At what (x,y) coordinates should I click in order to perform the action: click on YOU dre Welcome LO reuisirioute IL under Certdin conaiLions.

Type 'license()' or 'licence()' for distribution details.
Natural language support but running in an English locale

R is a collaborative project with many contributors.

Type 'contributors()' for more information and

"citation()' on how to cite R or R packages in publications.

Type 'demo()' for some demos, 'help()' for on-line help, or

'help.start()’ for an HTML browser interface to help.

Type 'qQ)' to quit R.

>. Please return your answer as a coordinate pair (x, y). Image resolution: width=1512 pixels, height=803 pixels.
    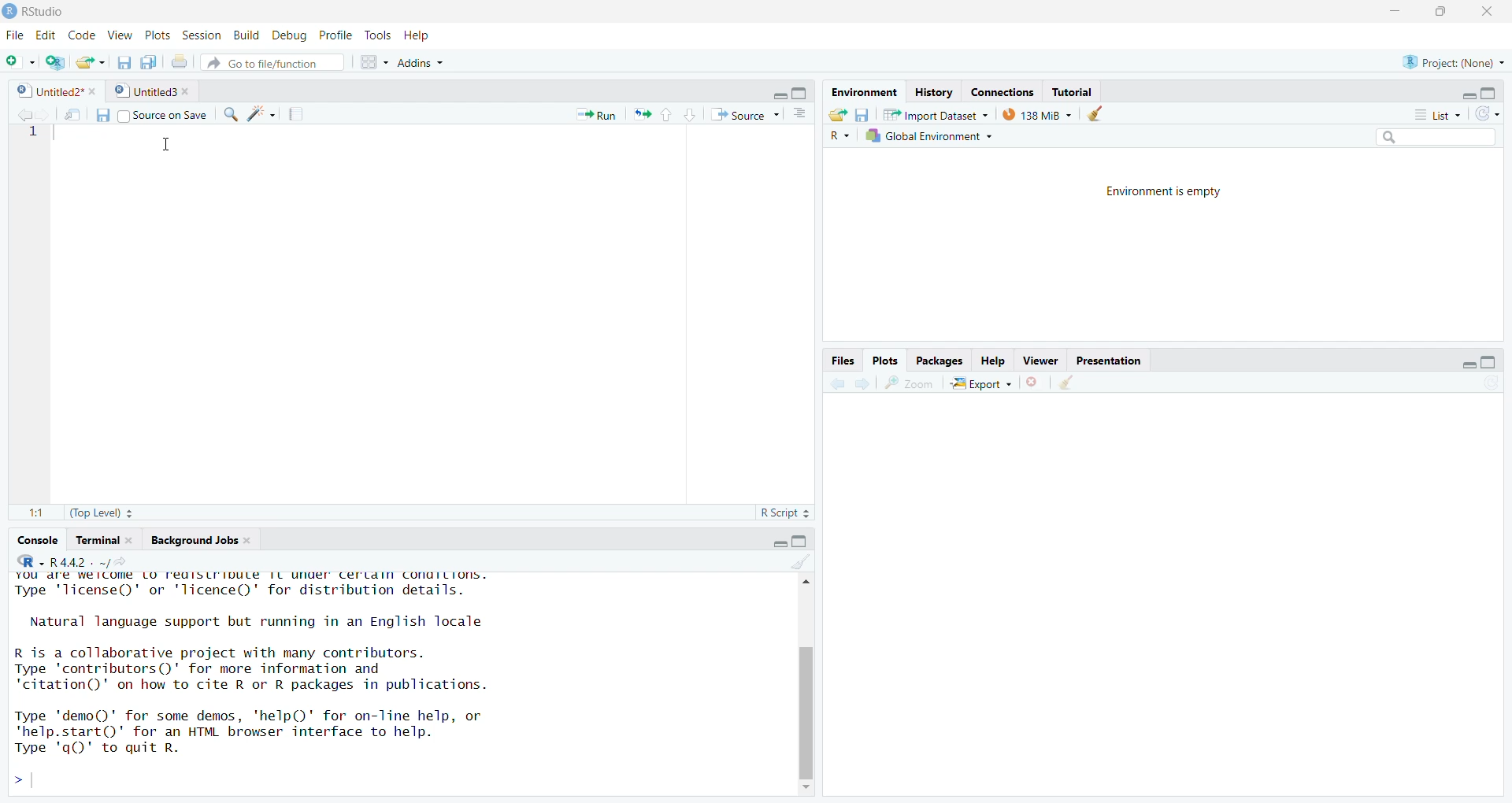
    Looking at the image, I should click on (370, 683).